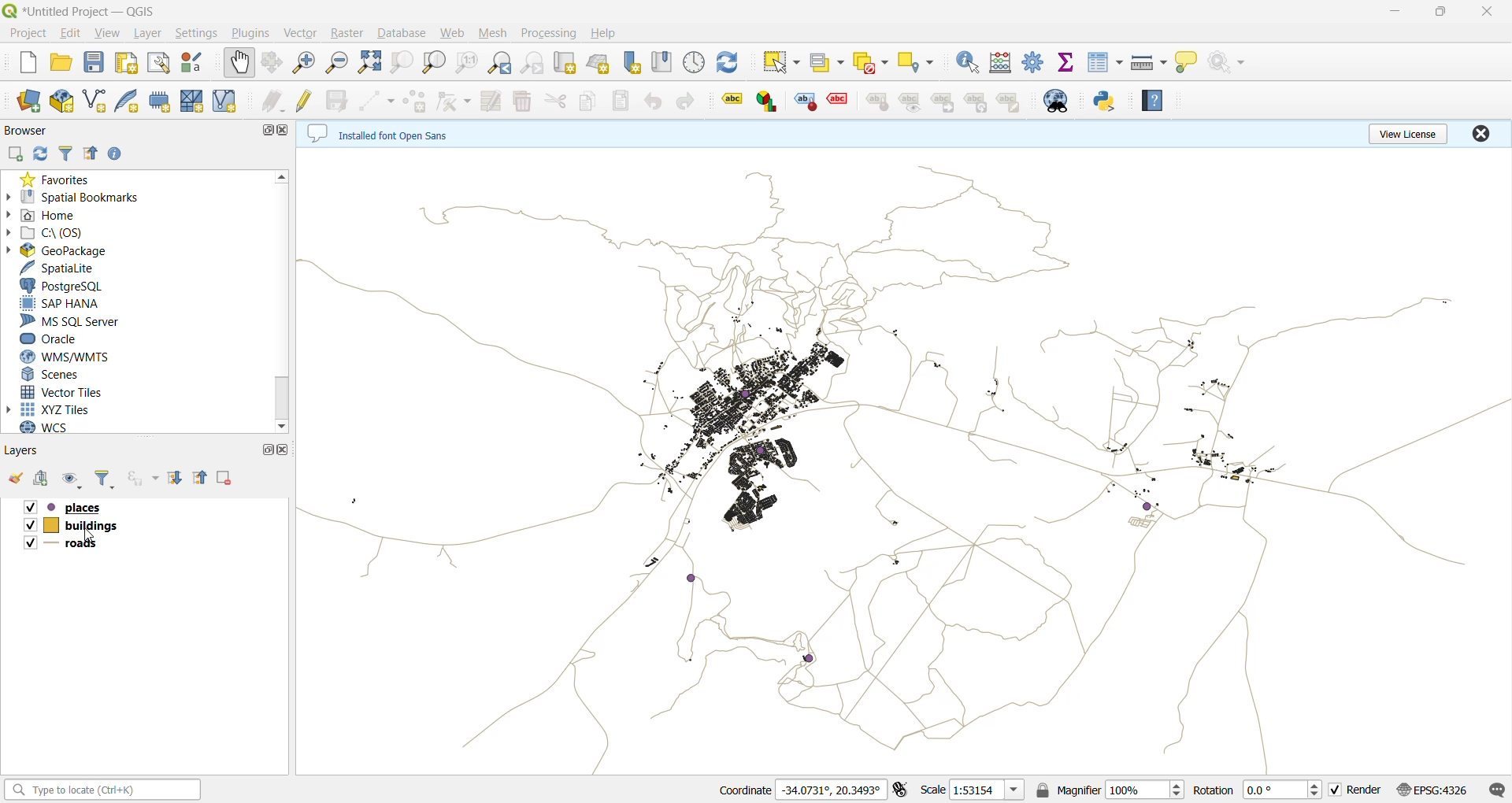 The width and height of the screenshot is (1512, 803). Describe the element at coordinates (49, 216) in the screenshot. I see `home` at that location.